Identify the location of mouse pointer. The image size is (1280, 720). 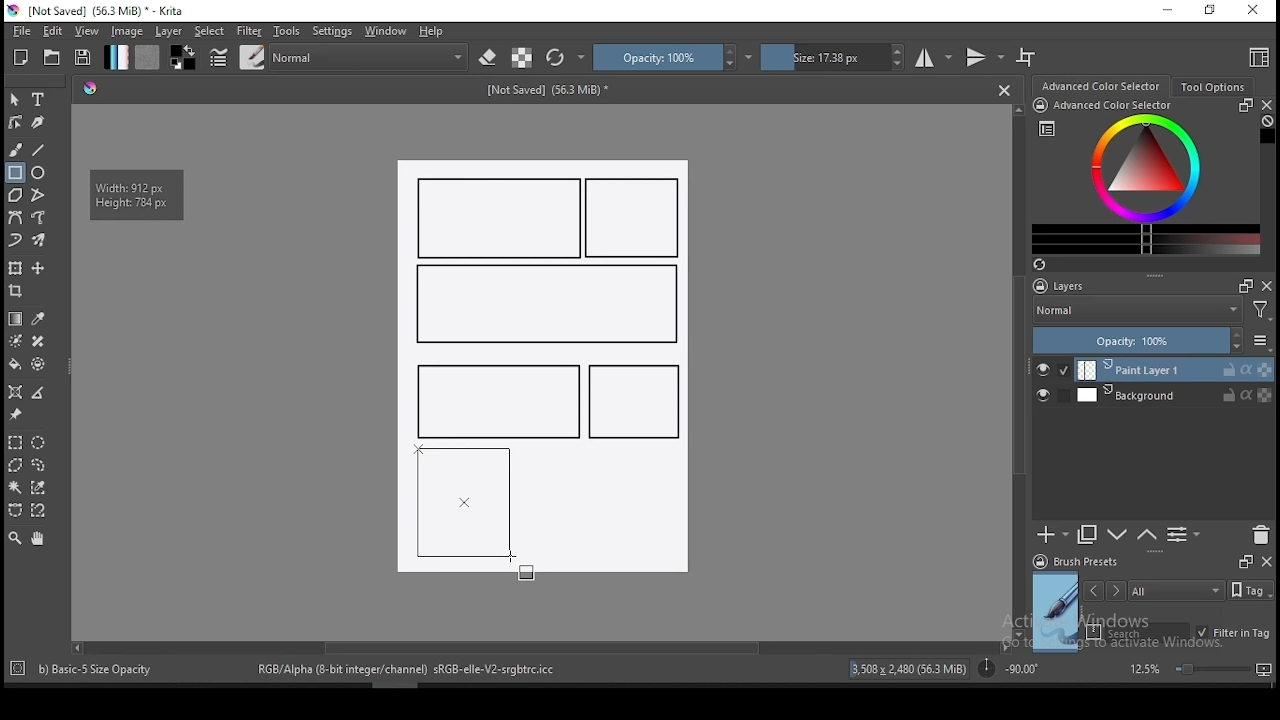
(513, 561).